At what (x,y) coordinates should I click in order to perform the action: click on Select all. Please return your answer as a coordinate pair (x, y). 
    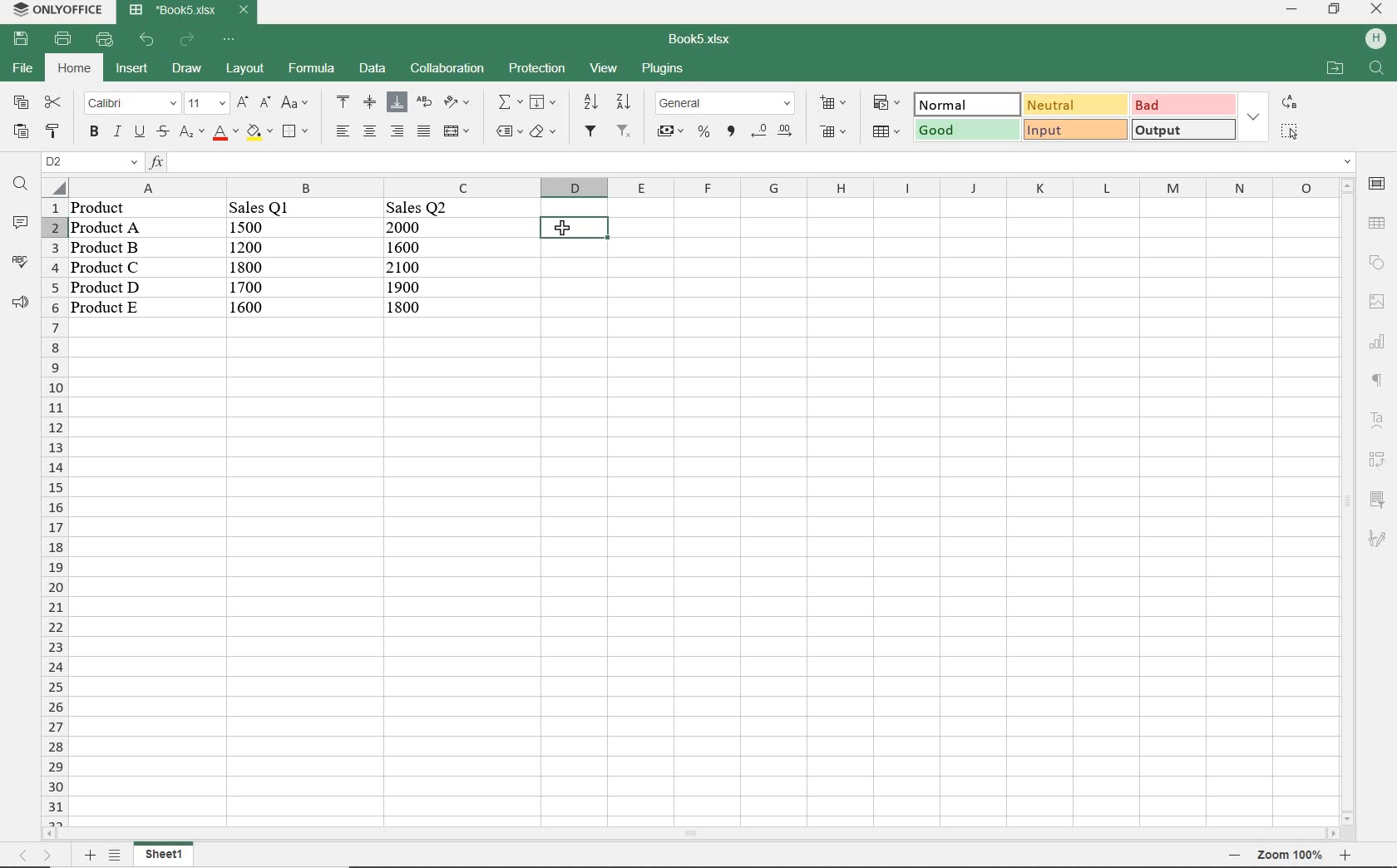
    Looking at the image, I should click on (56, 189).